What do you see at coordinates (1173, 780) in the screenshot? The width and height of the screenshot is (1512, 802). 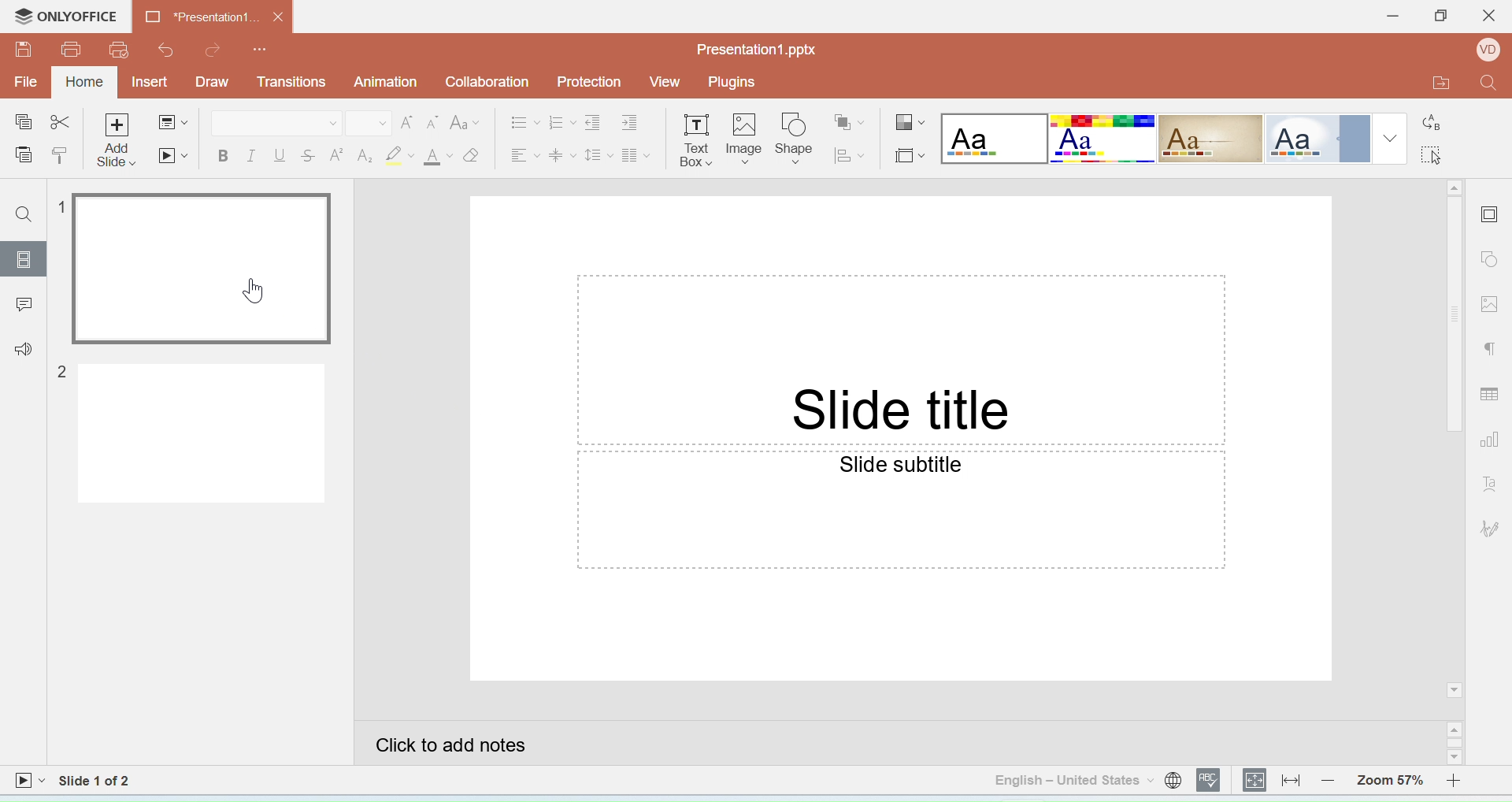 I see `Set document language` at bounding box center [1173, 780].